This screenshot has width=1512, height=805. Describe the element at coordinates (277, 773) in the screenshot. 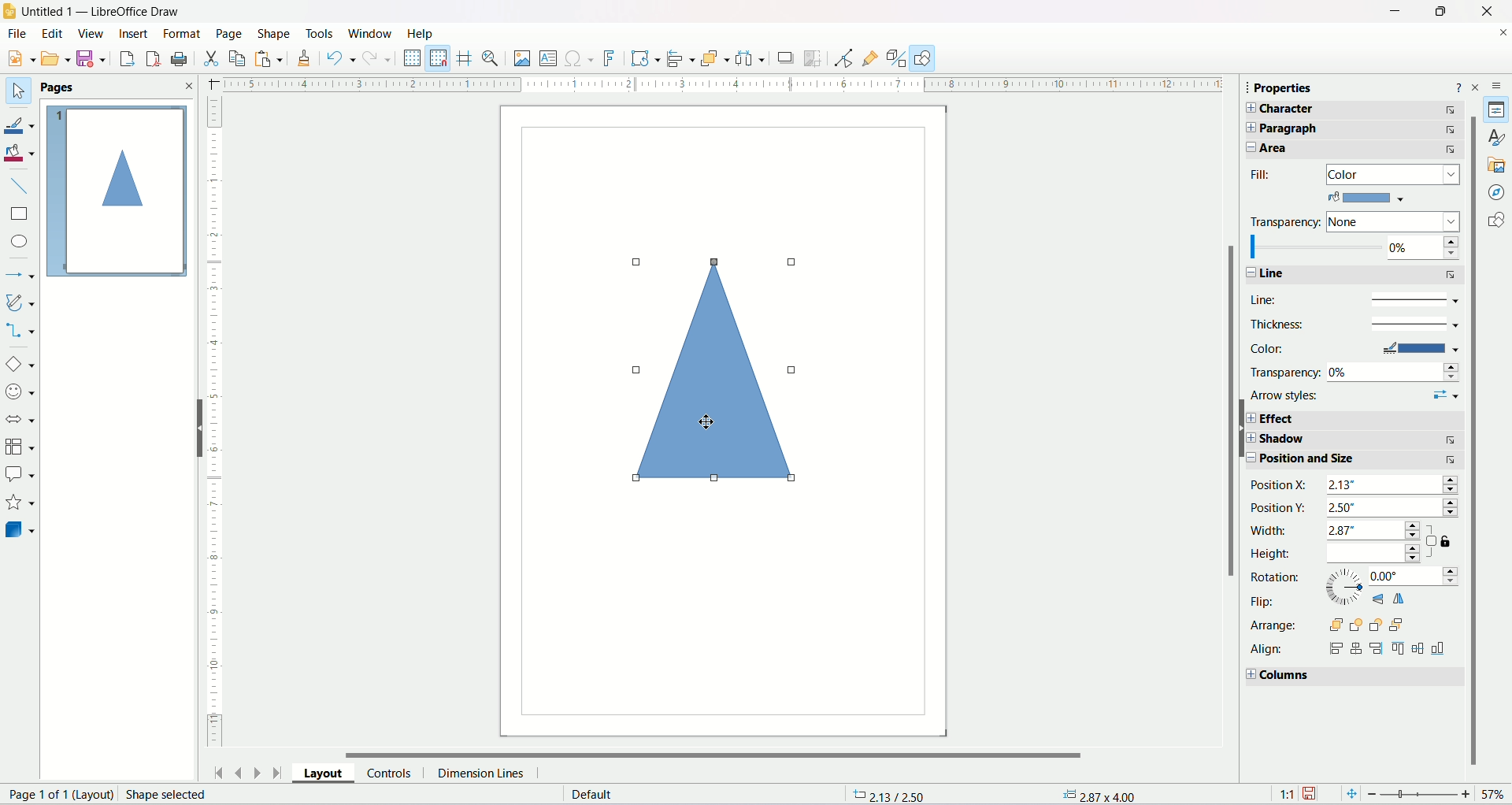

I see `Move to last page` at that location.